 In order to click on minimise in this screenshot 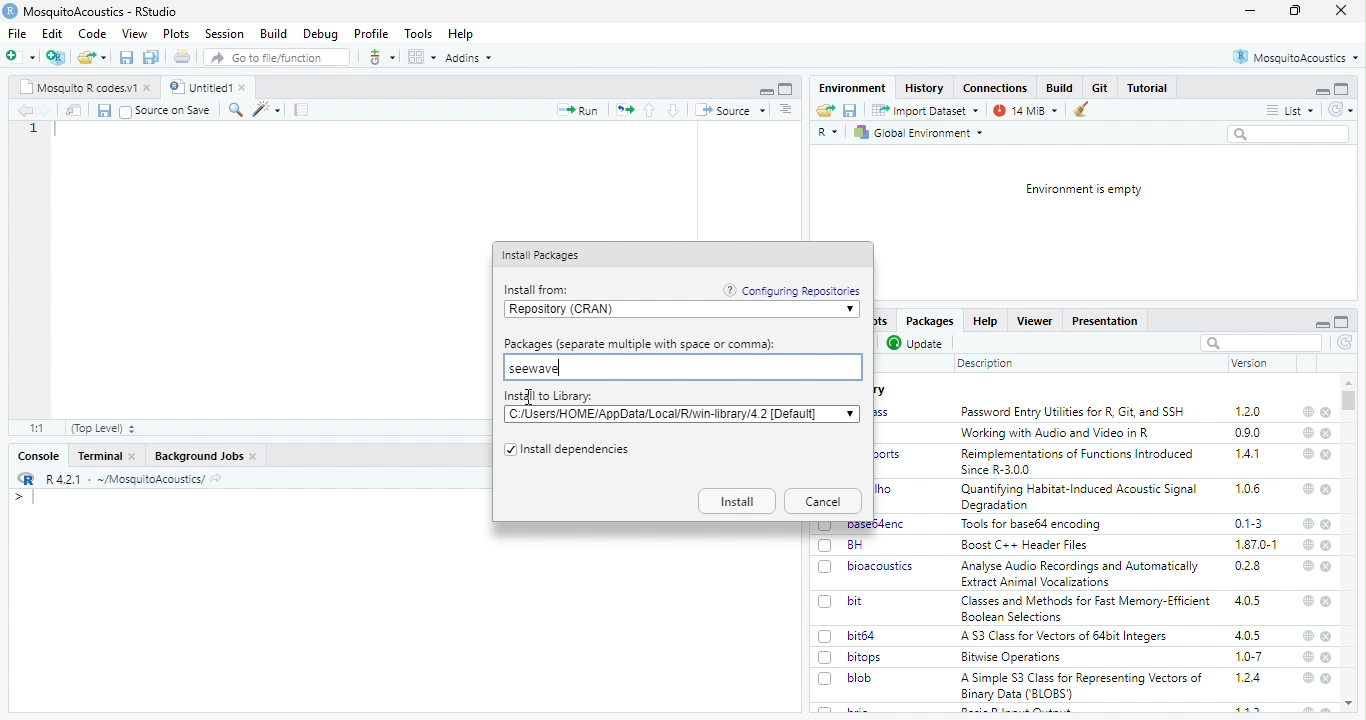, I will do `click(1323, 92)`.